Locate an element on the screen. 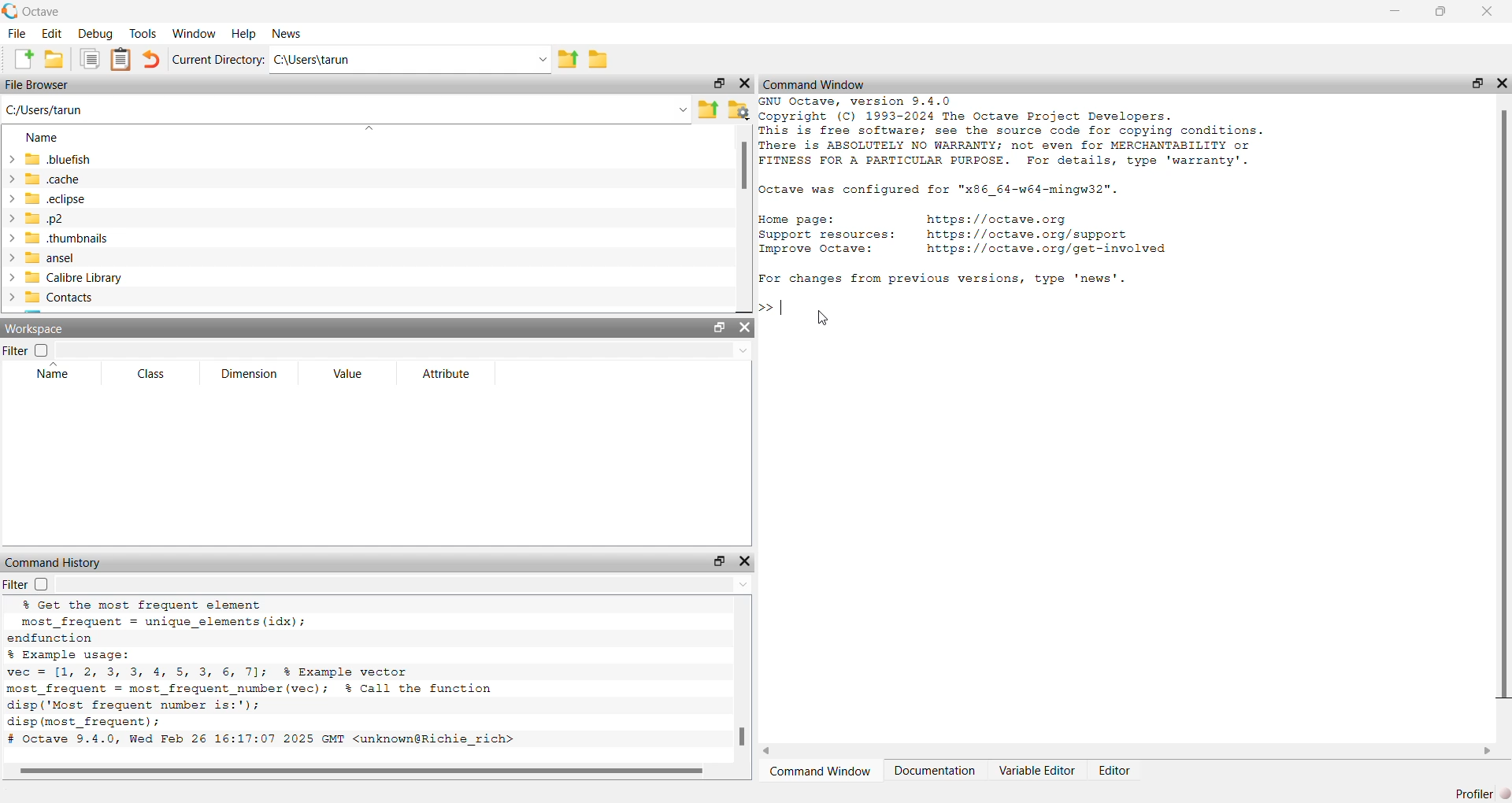  expand/collapse is located at coordinates (11, 199).